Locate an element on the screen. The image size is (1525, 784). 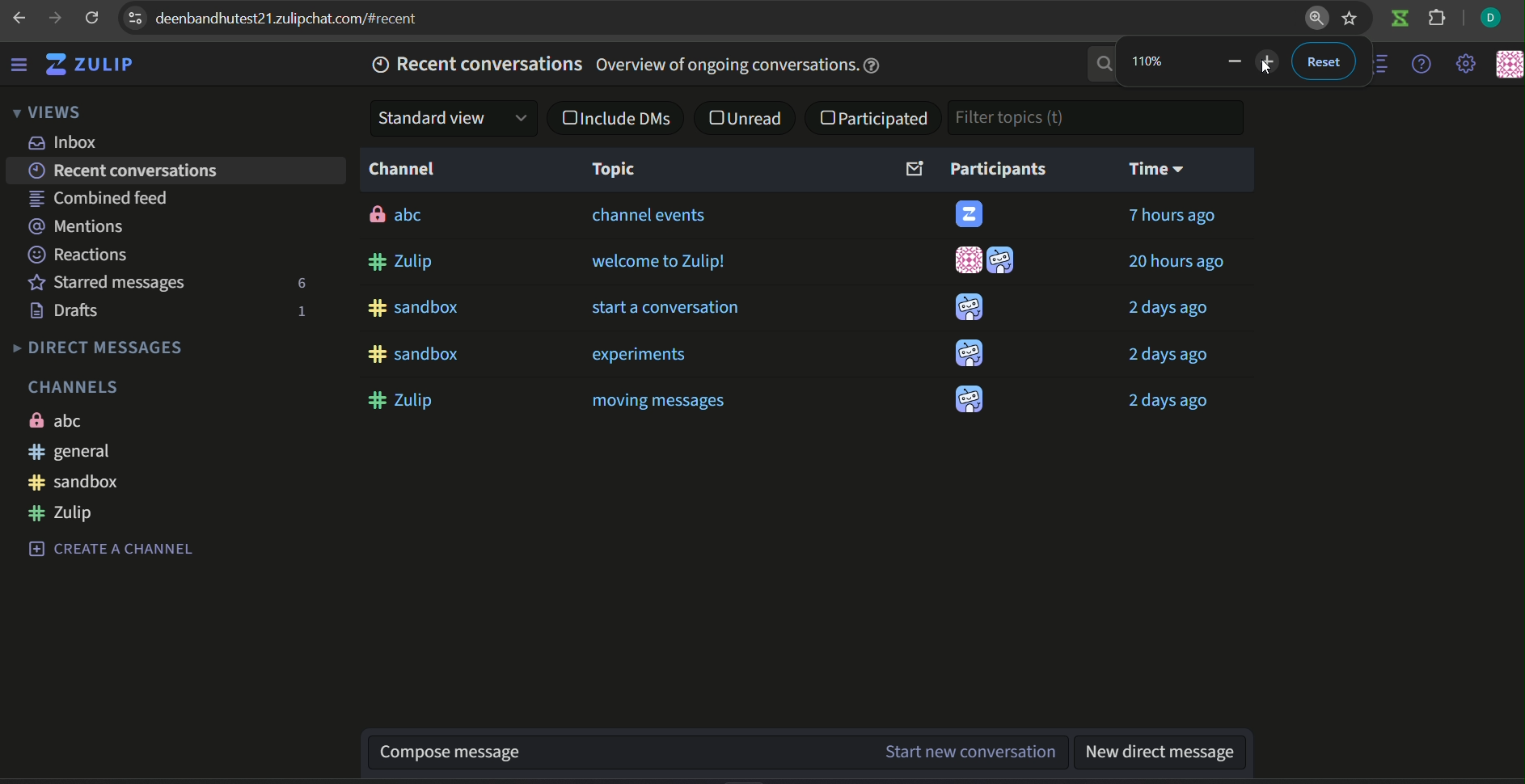
cursor is located at coordinates (1269, 65).